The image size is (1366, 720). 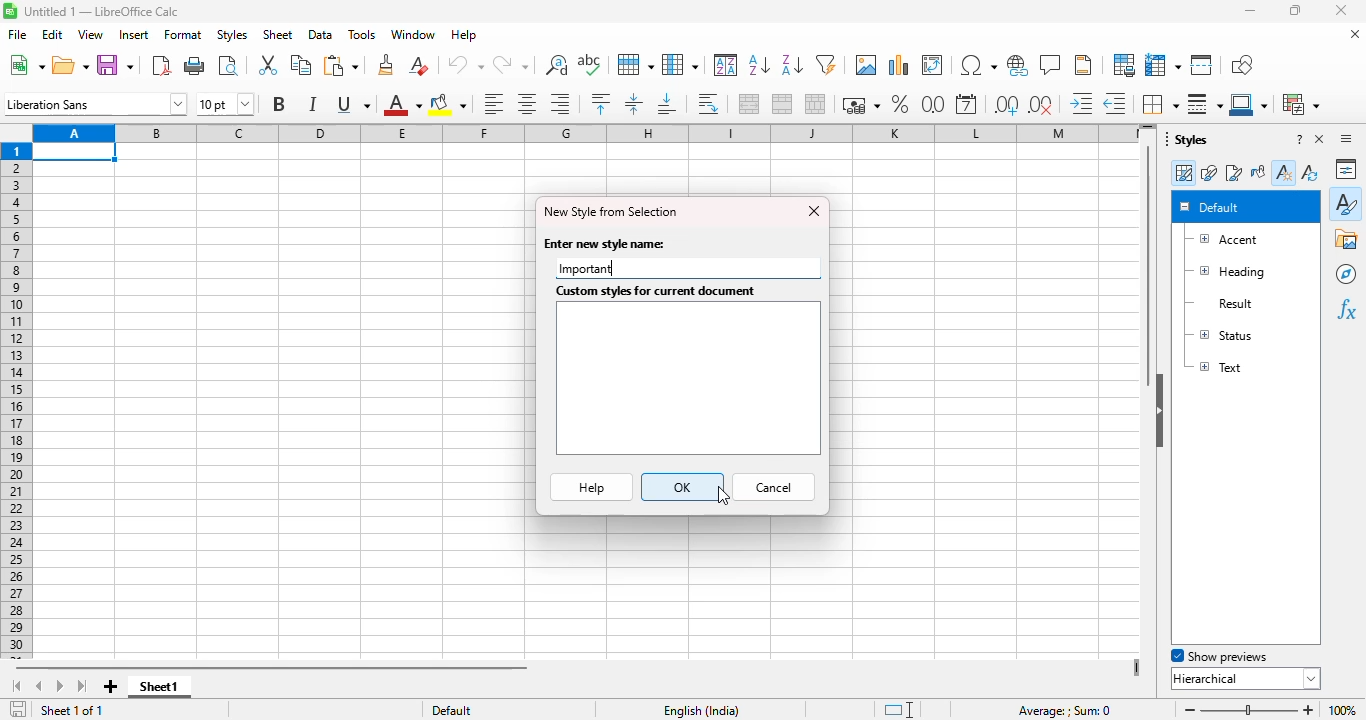 I want to click on align left, so click(x=494, y=103).